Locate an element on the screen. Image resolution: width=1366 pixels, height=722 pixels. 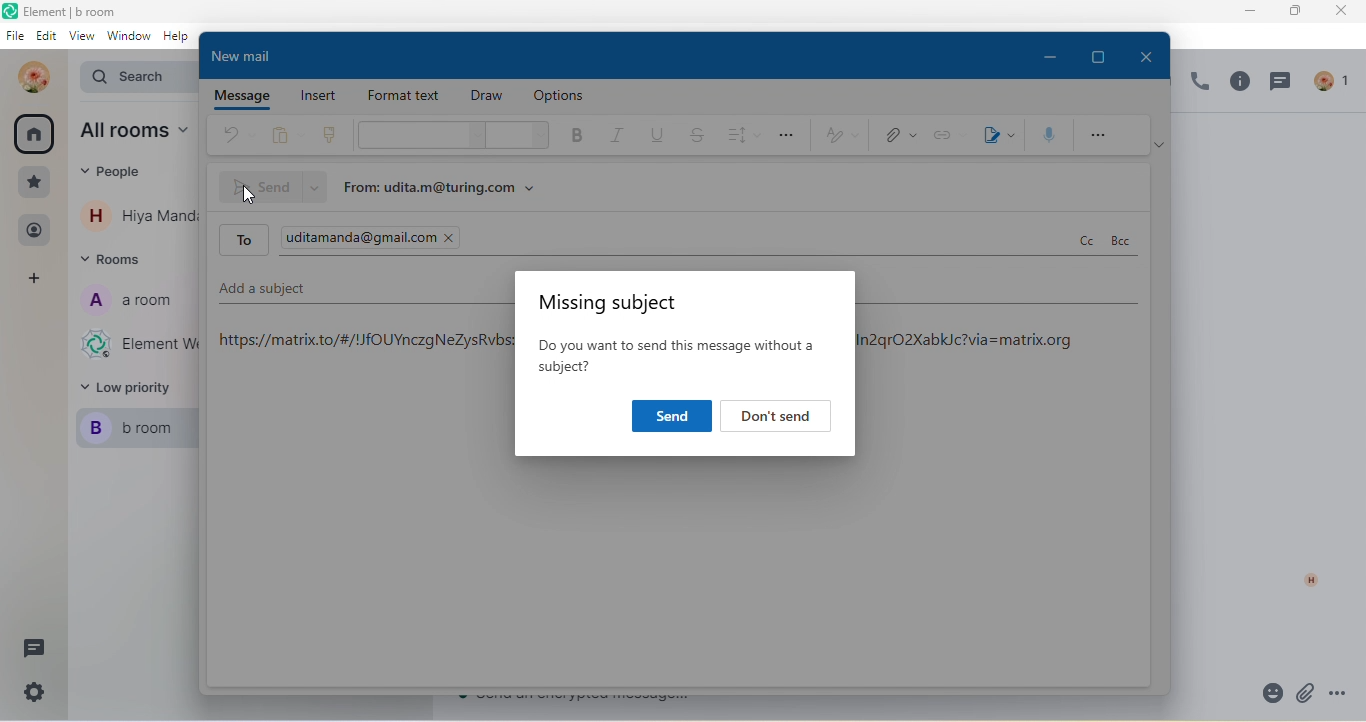
close is located at coordinates (1144, 55).